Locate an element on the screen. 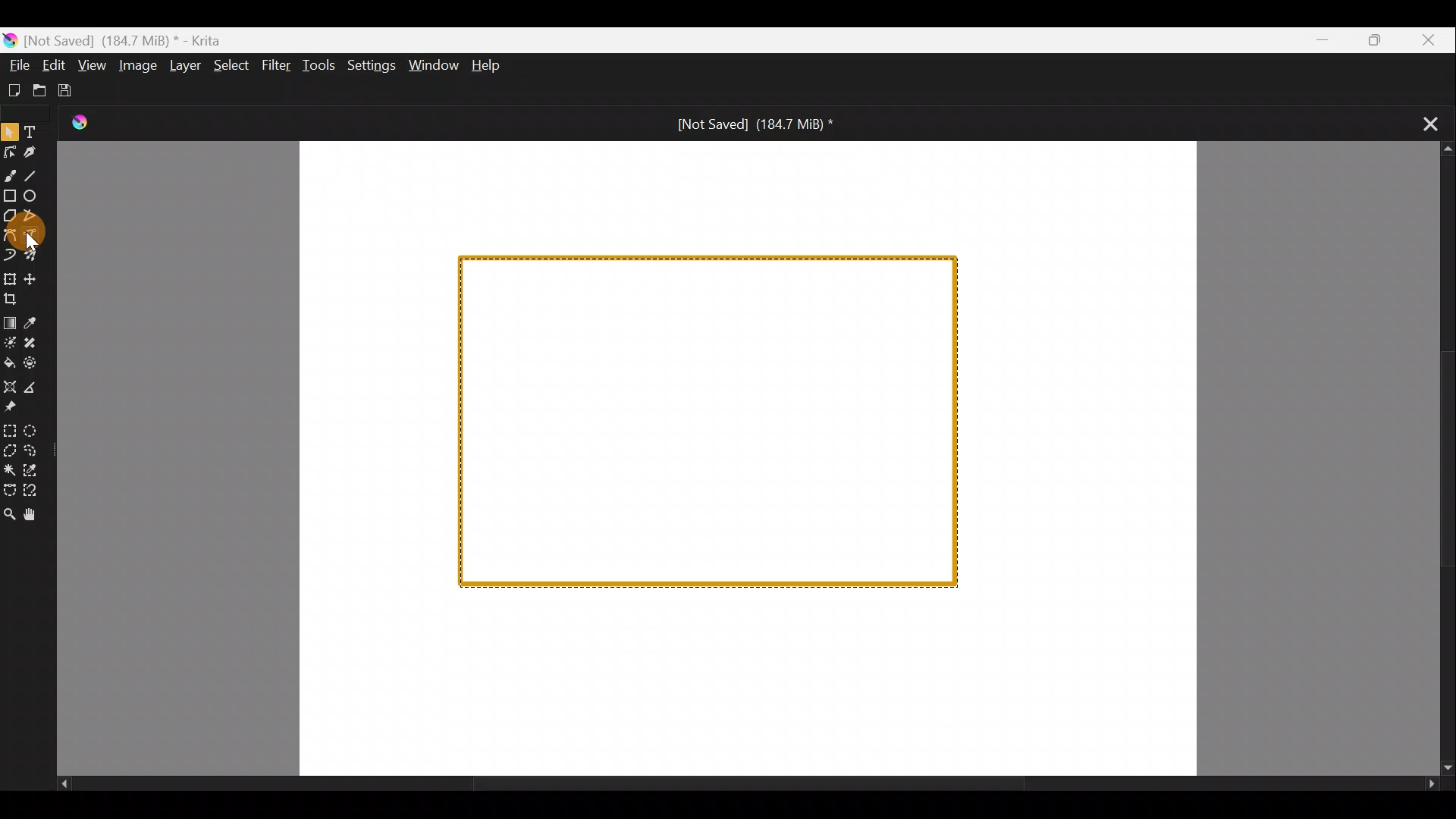 This screenshot has width=1456, height=819. Zoom tool is located at coordinates (9, 514).